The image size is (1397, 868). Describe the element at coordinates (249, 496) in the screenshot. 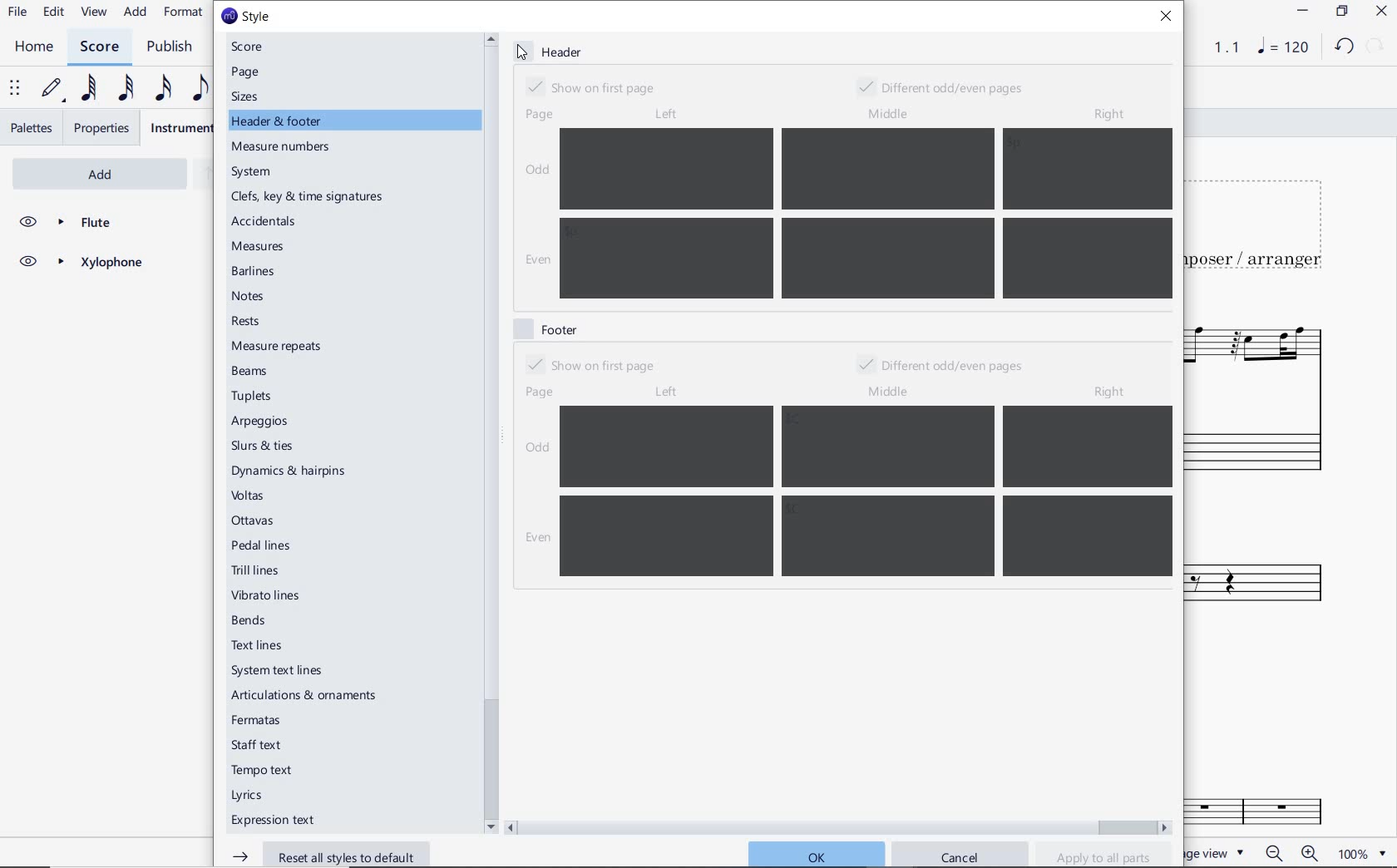

I see `voltas` at that location.